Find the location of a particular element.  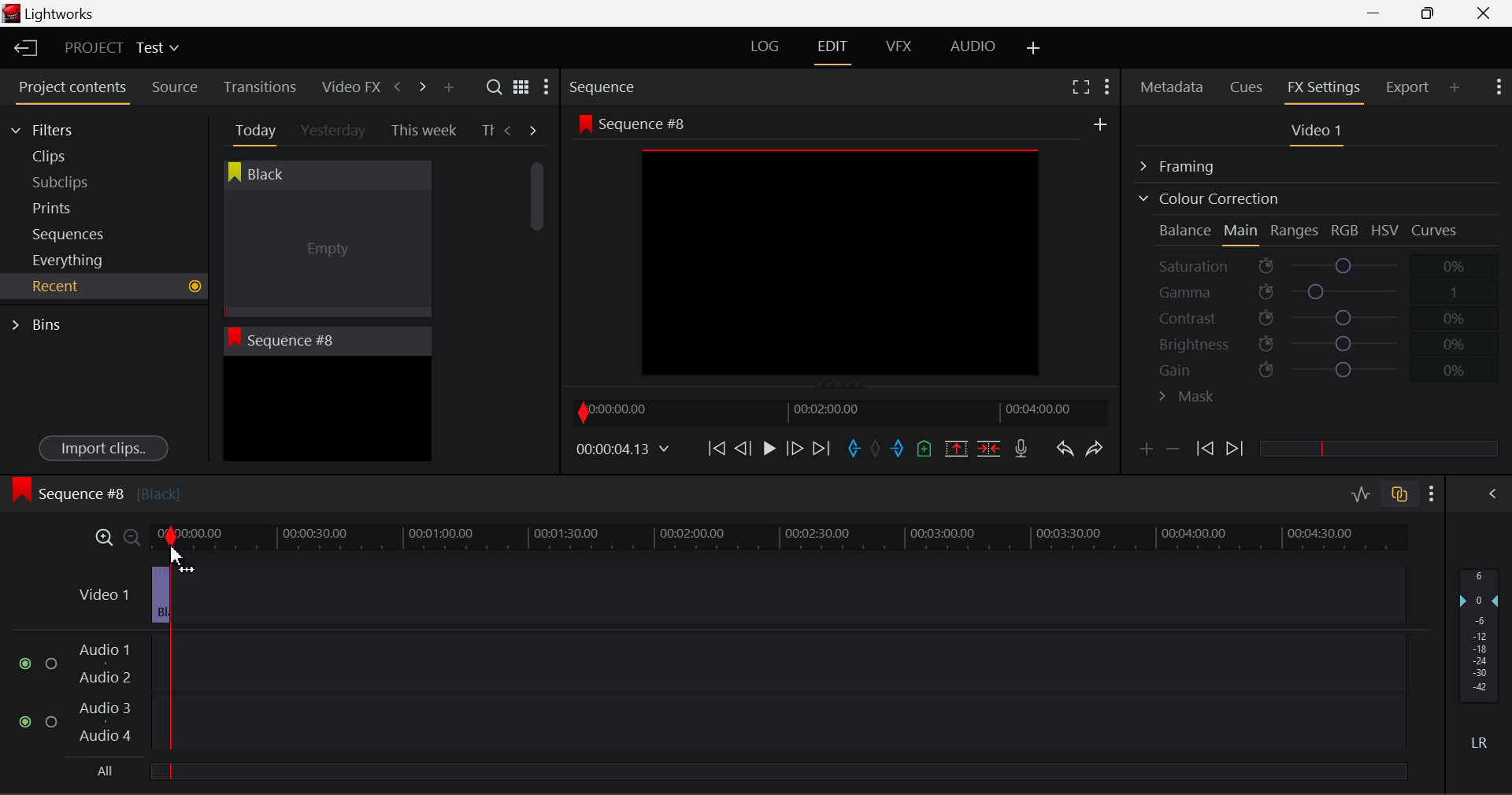

Play is located at coordinates (767, 449).